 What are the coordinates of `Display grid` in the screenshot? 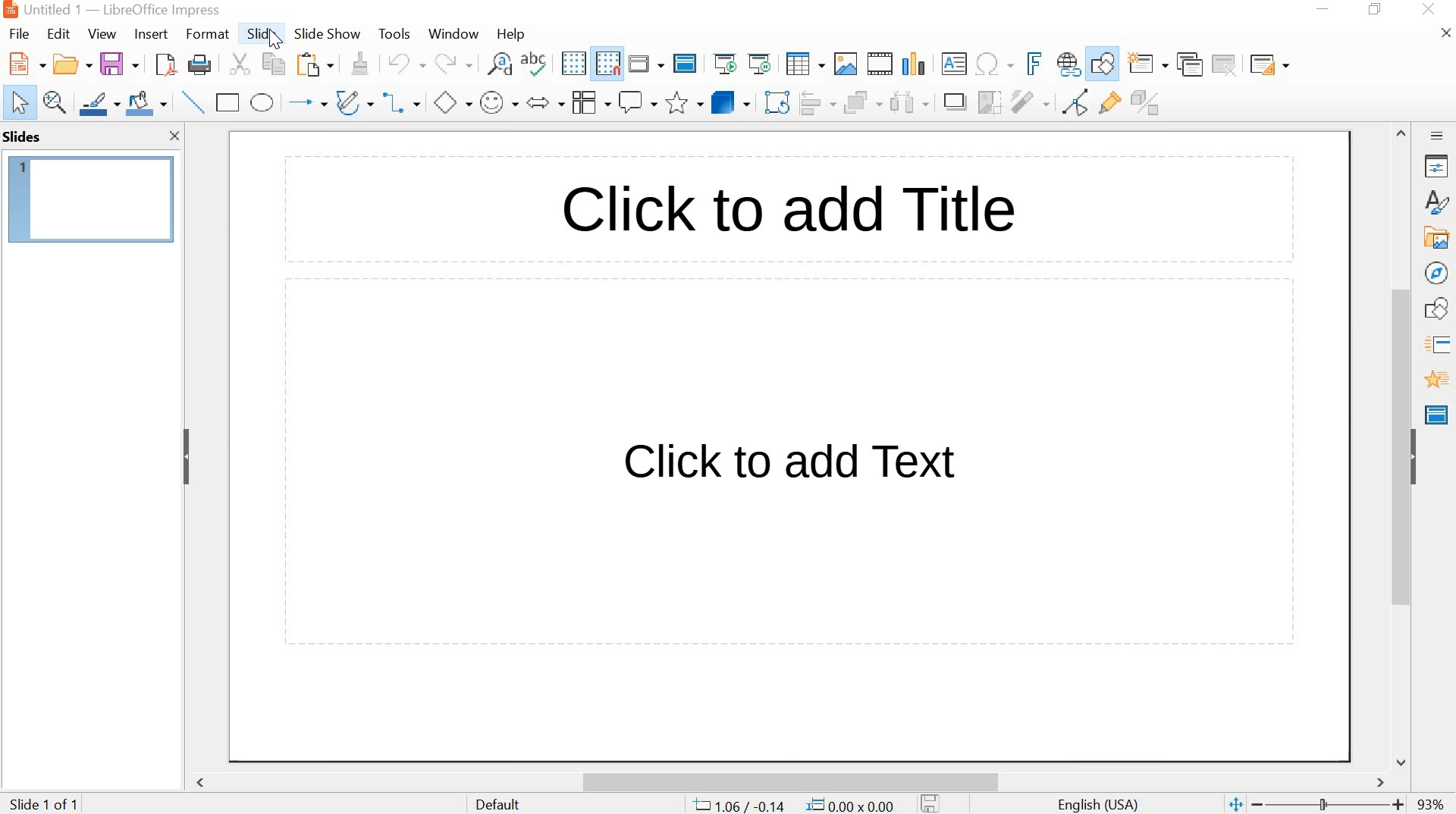 It's located at (573, 64).